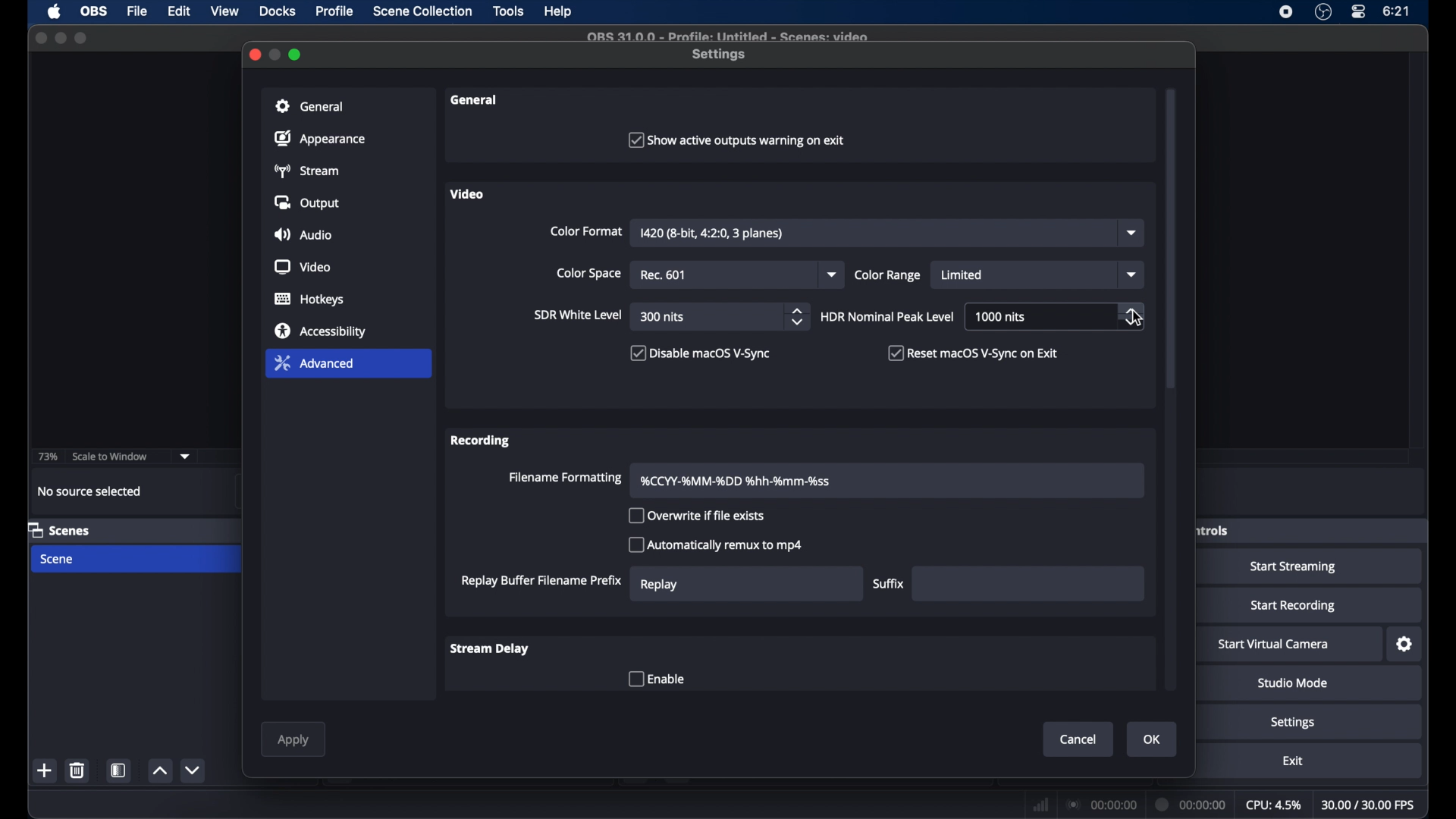 This screenshot has height=819, width=1456. What do you see at coordinates (77, 770) in the screenshot?
I see `delete` at bounding box center [77, 770].